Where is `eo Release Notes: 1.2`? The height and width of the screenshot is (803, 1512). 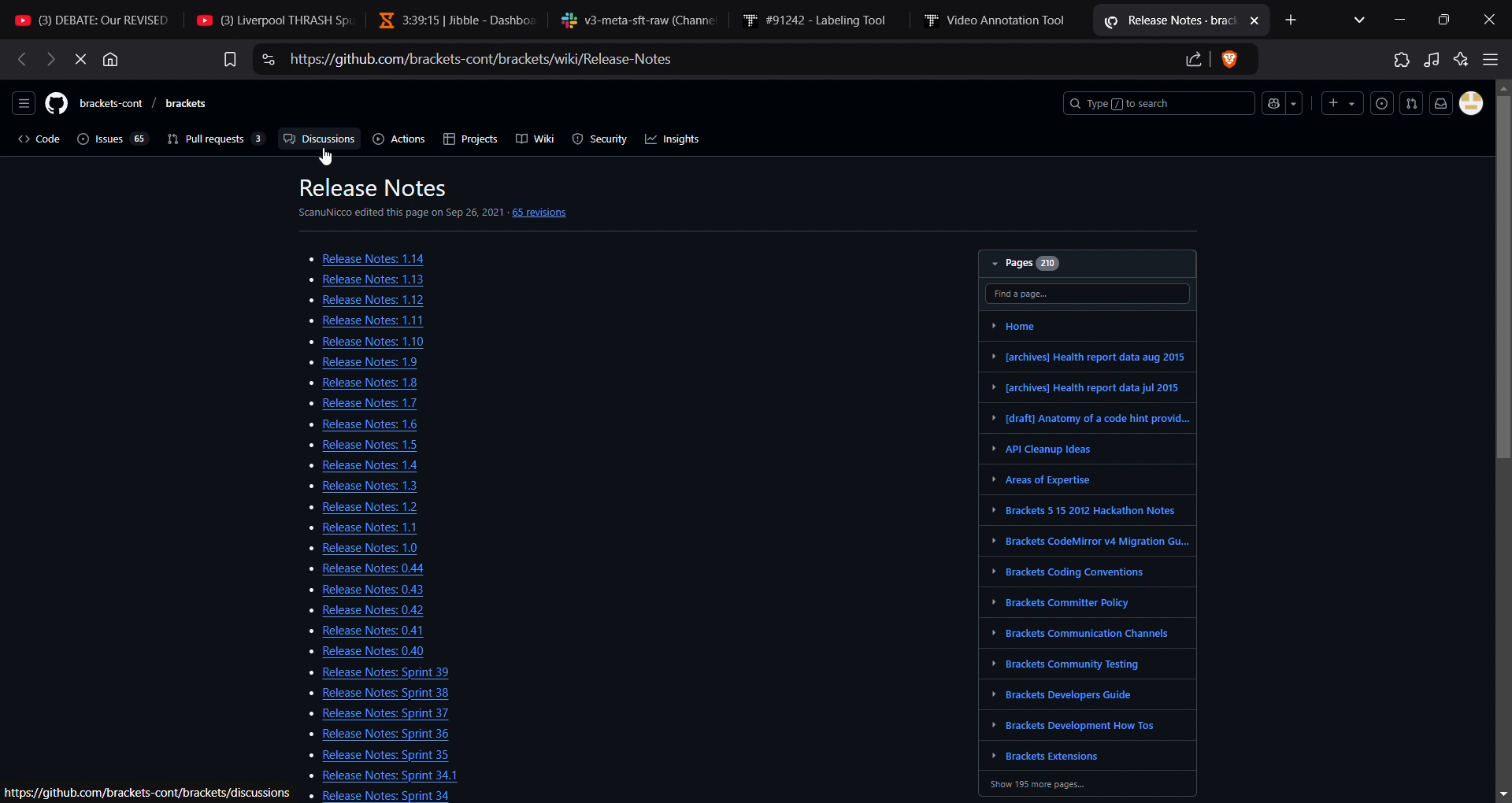
eo Release Notes: 1.2 is located at coordinates (358, 507).